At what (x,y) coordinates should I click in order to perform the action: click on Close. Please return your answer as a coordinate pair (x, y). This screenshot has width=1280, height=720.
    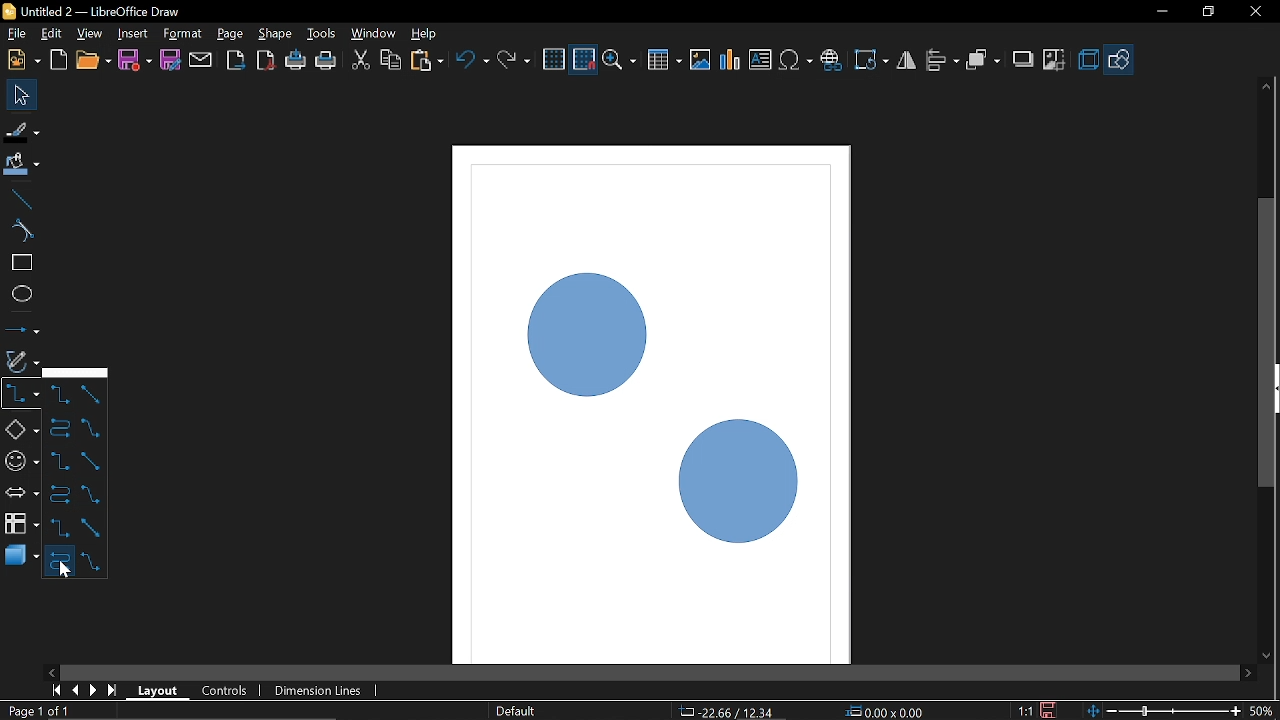
    Looking at the image, I should click on (1254, 13).